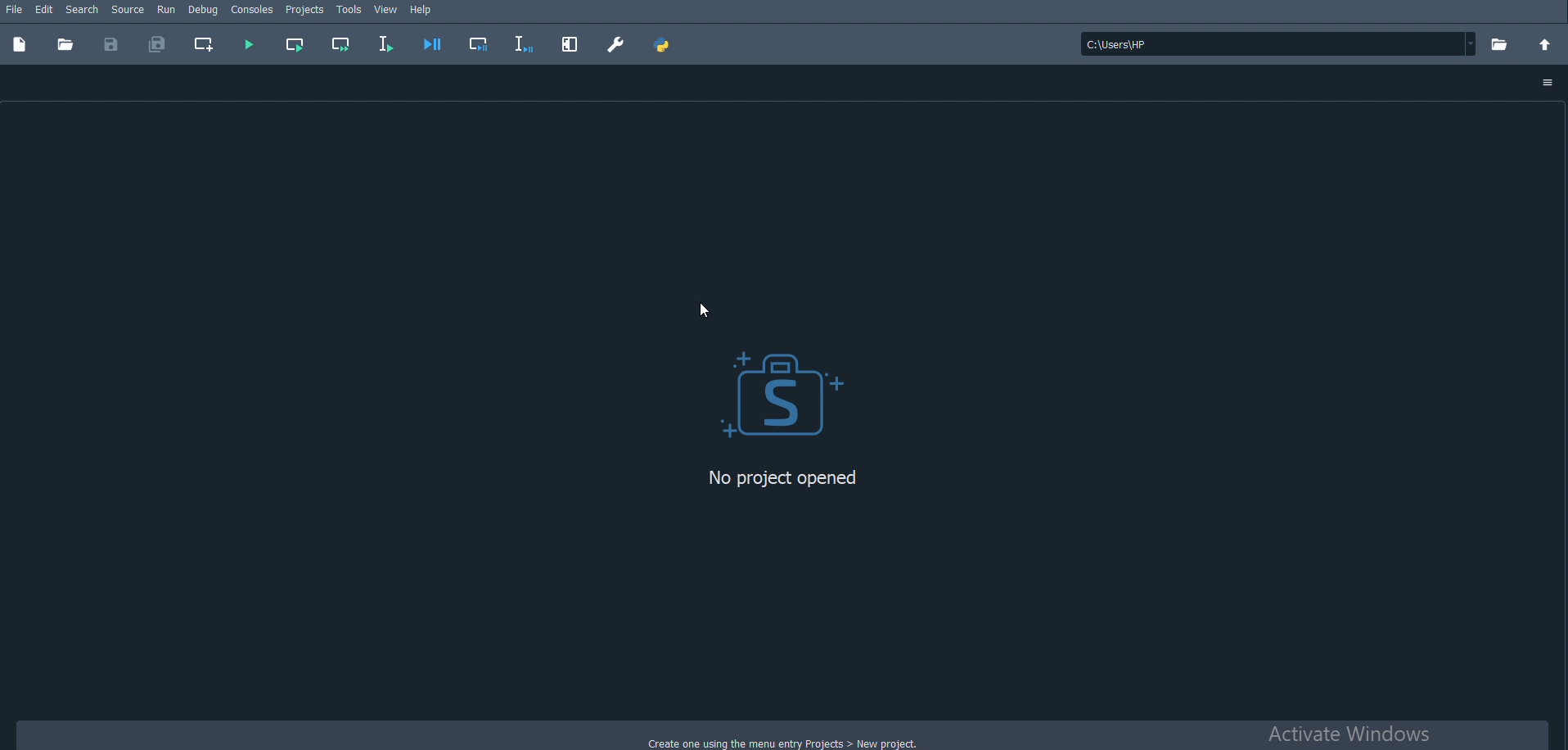 The height and width of the screenshot is (750, 1568). Describe the element at coordinates (786, 479) in the screenshot. I see `Project information` at that location.